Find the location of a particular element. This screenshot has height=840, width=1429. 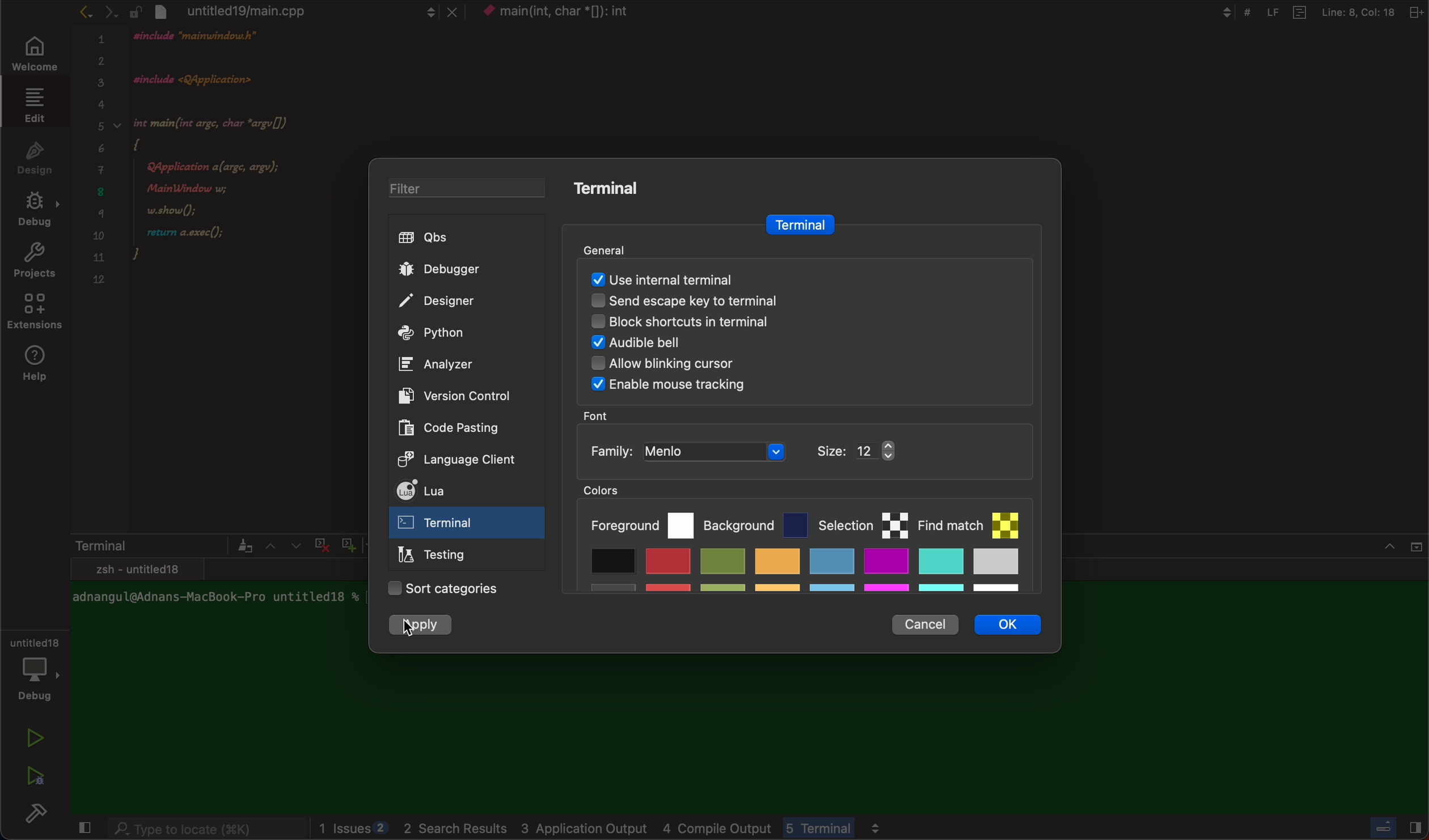

find match is located at coordinates (975, 520).